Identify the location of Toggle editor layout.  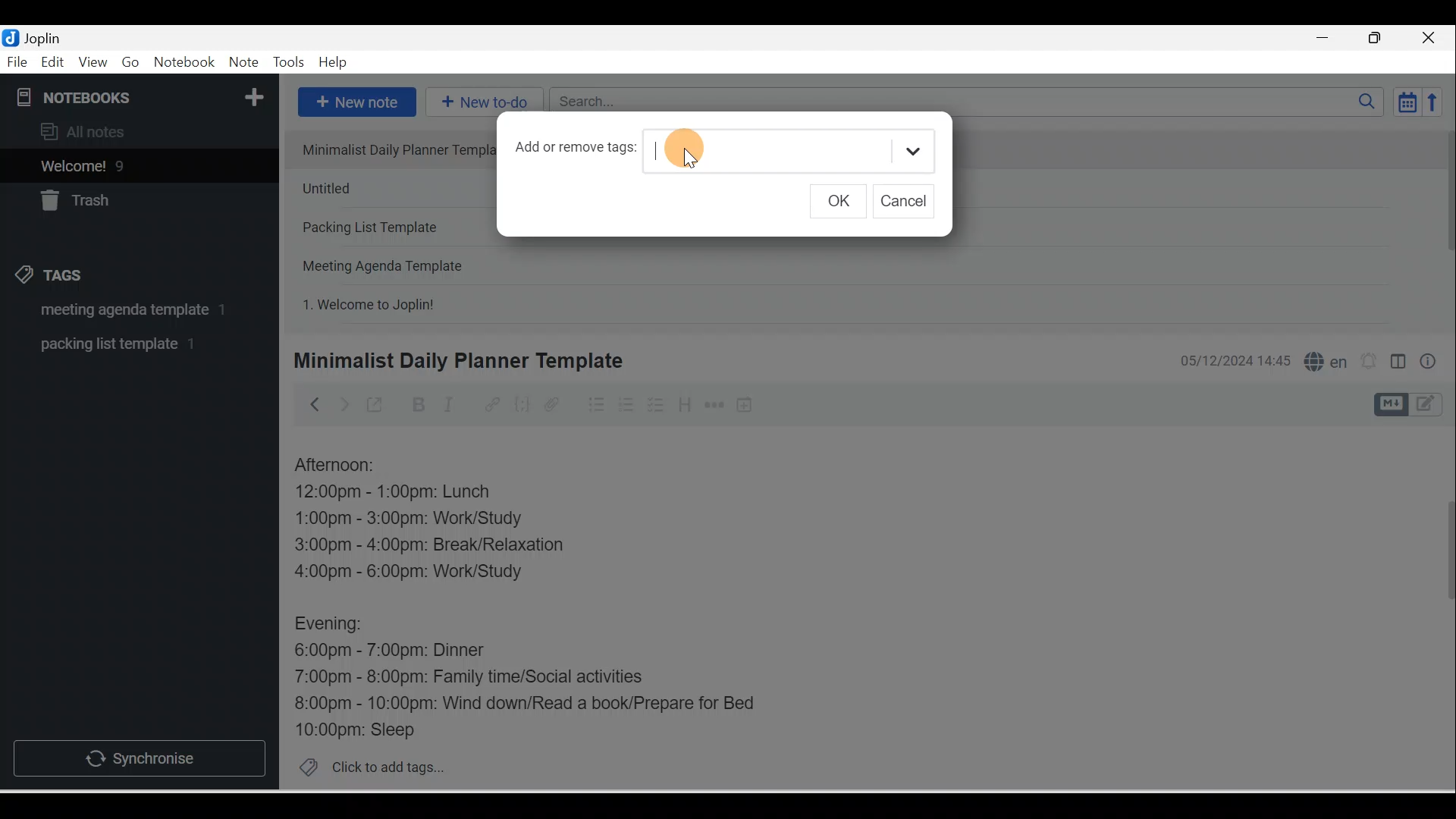
(1414, 405).